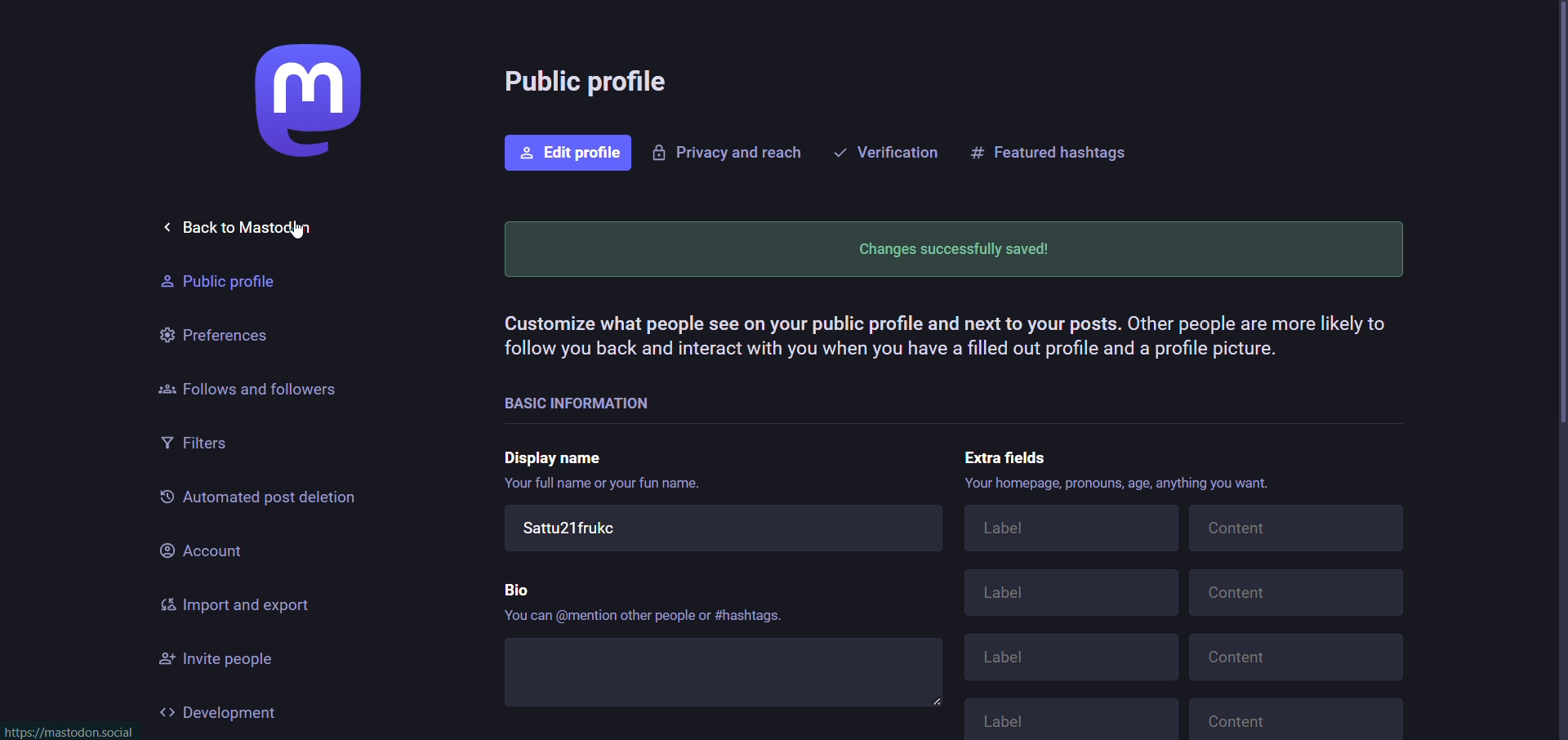 The height and width of the screenshot is (740, 1568). Describe the element at coordinates (568, 154) in the screenshot. I see `edit profile` at that location.